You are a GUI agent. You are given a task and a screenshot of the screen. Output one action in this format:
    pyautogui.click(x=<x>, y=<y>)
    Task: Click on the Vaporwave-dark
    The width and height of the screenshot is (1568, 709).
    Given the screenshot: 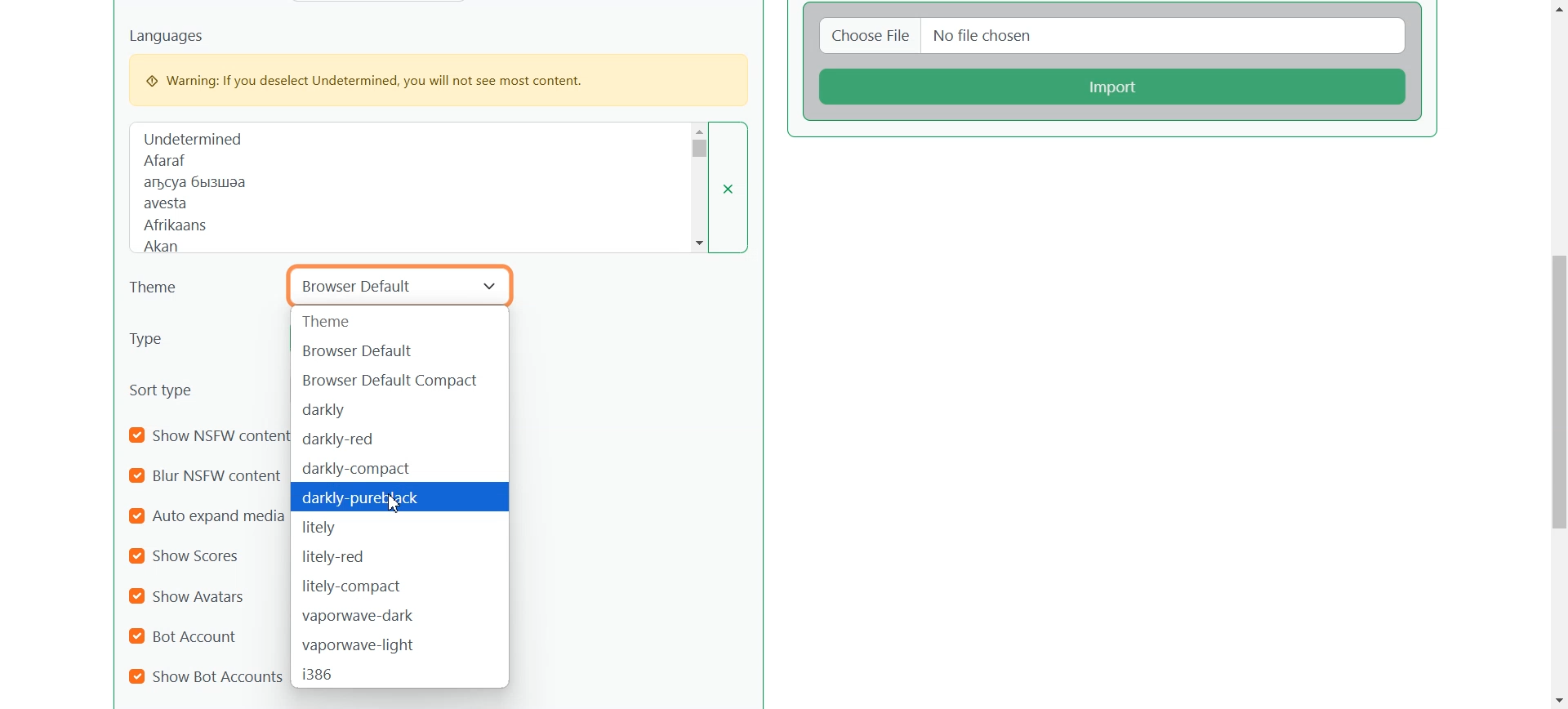 What is the action you would take?
    pyautogui.click(x=400, y=615)
    